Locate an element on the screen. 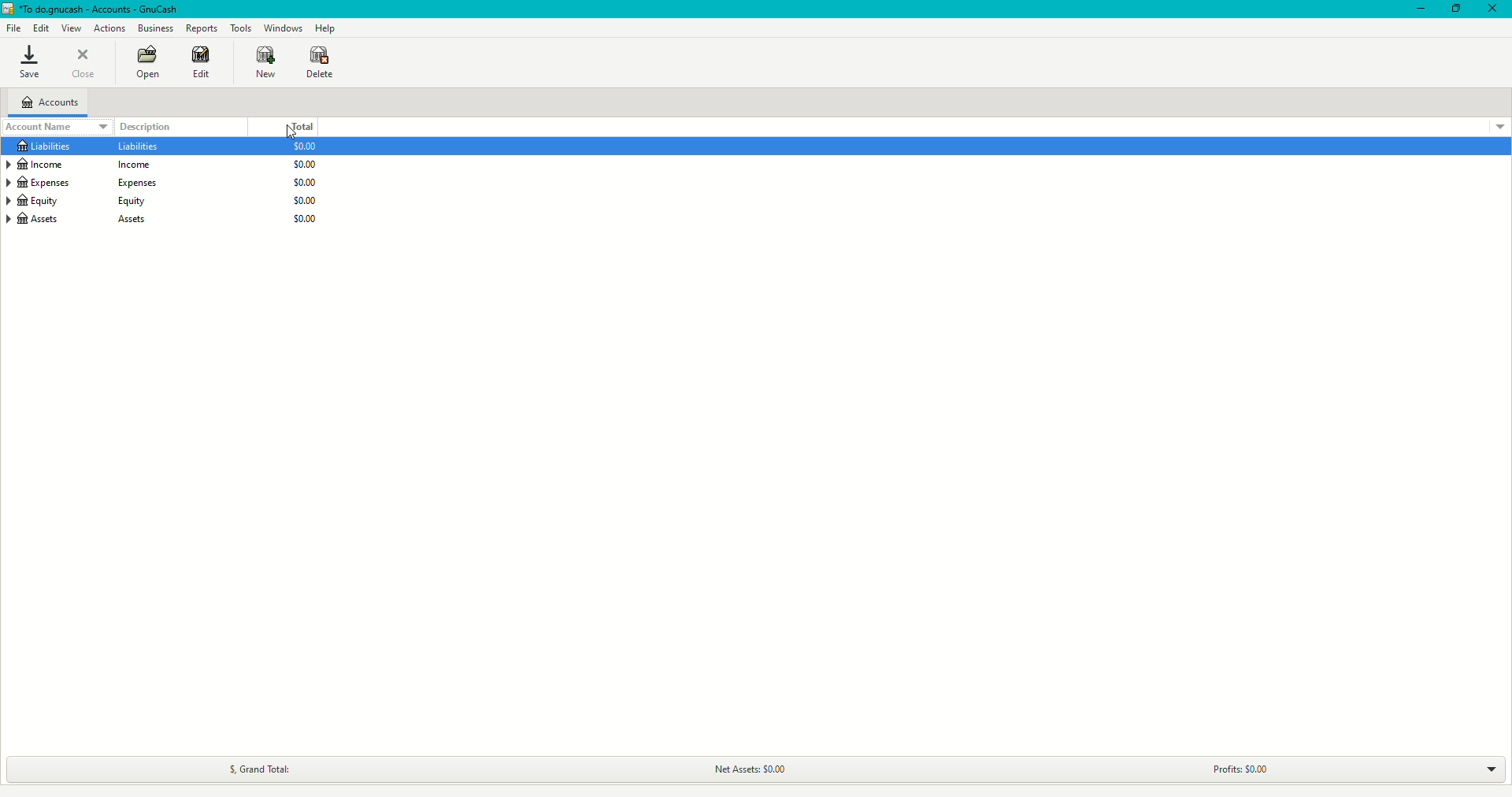 The image size is (1512, 797). Account name is located at coordinates (57, 128).